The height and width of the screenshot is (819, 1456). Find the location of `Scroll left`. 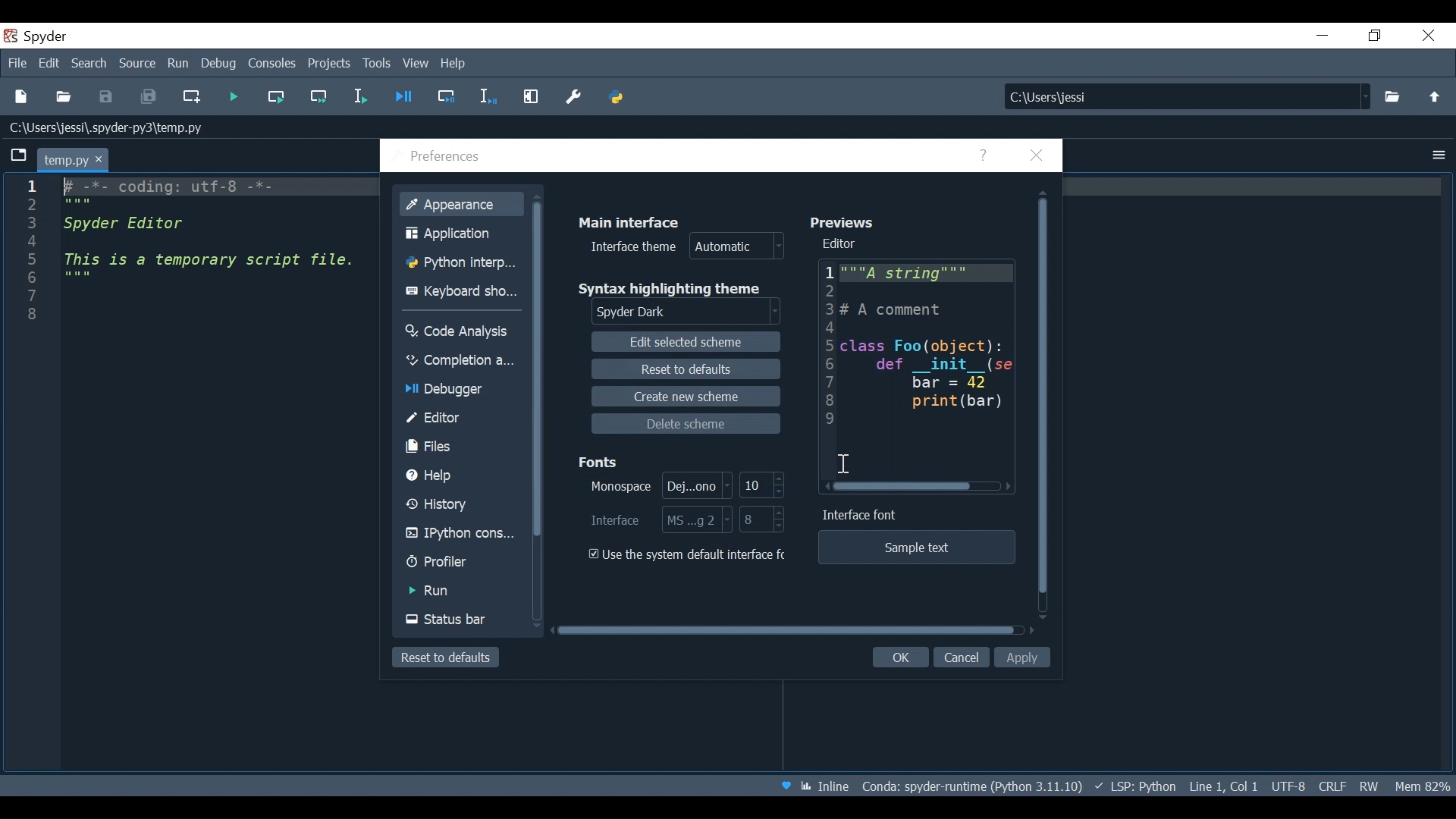

Scroll left is located at coordinates (827, 485).